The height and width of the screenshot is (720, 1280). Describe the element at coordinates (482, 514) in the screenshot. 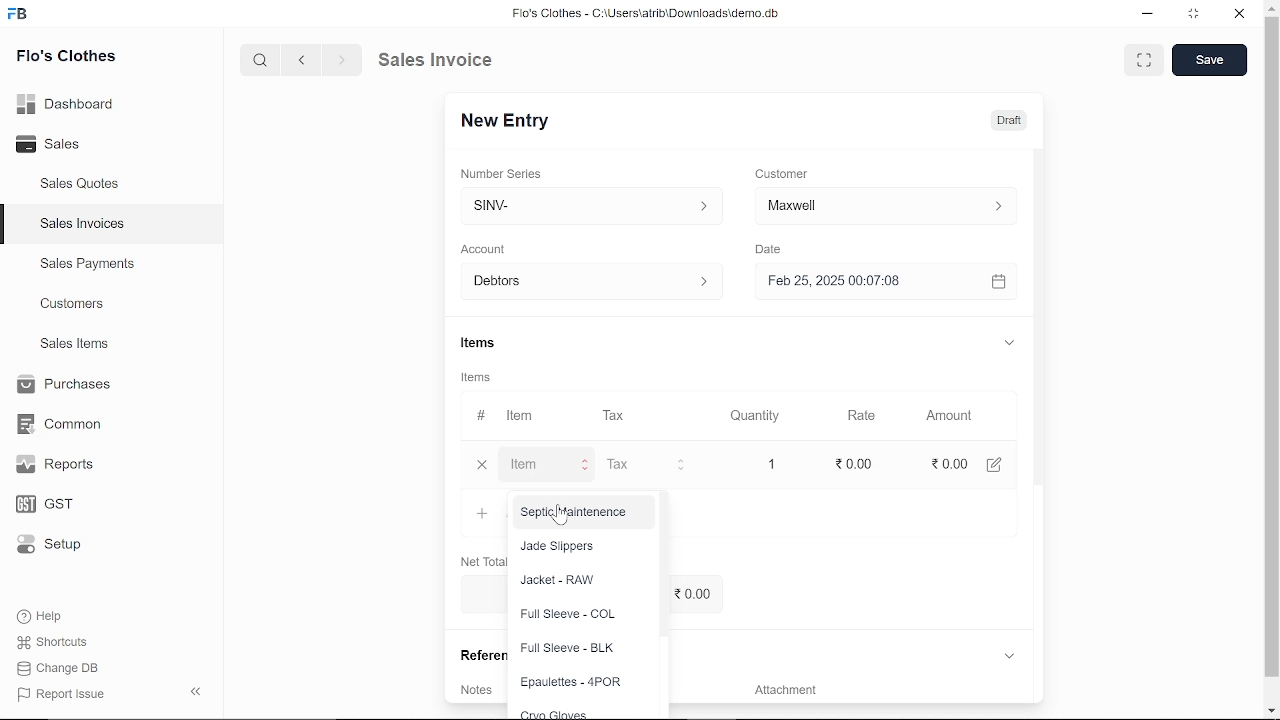

I see `+ Add Row` at that location.